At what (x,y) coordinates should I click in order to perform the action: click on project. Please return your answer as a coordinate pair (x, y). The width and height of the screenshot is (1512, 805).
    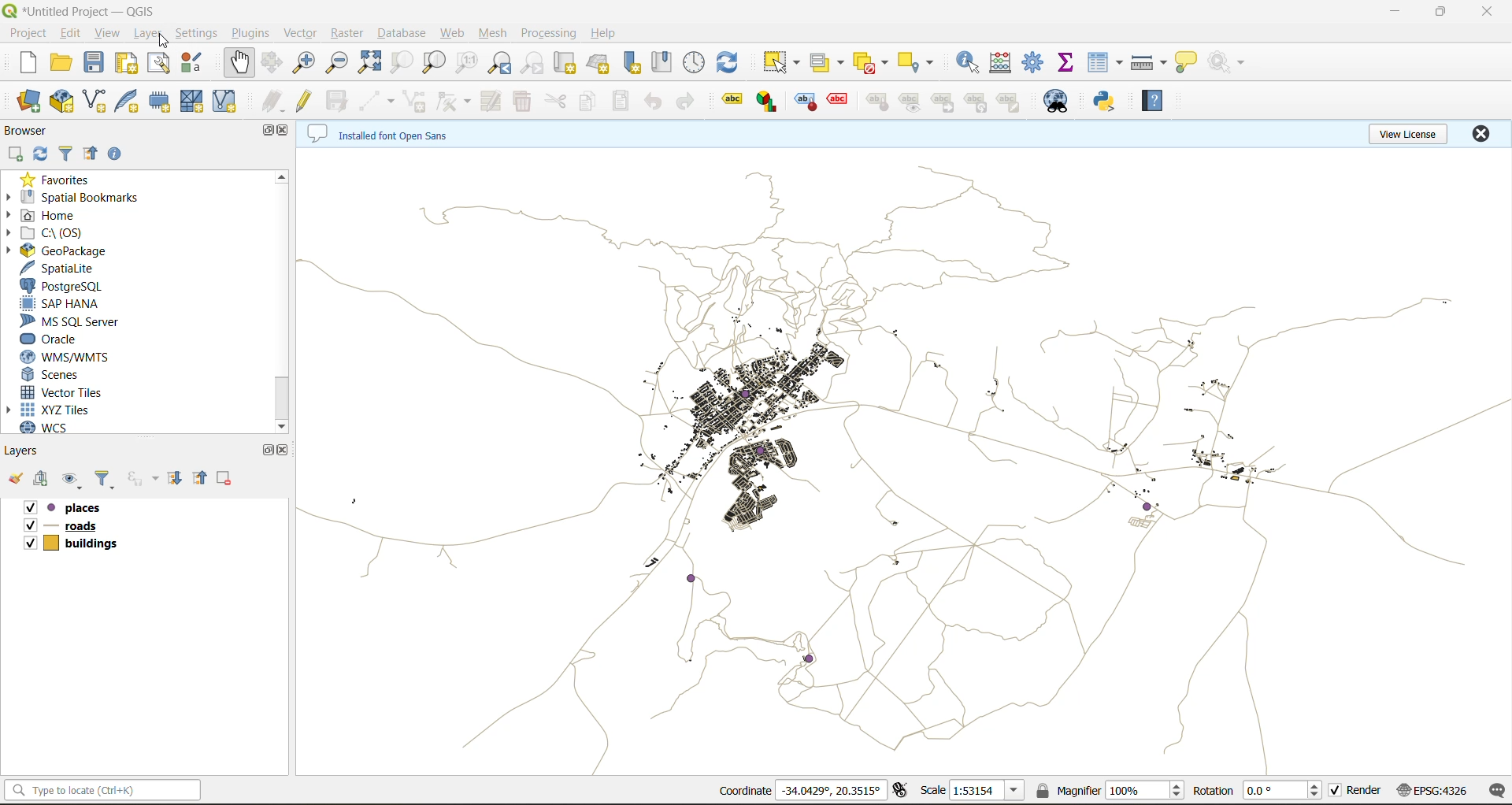
    Looking at the image, I should click on (28, 34).